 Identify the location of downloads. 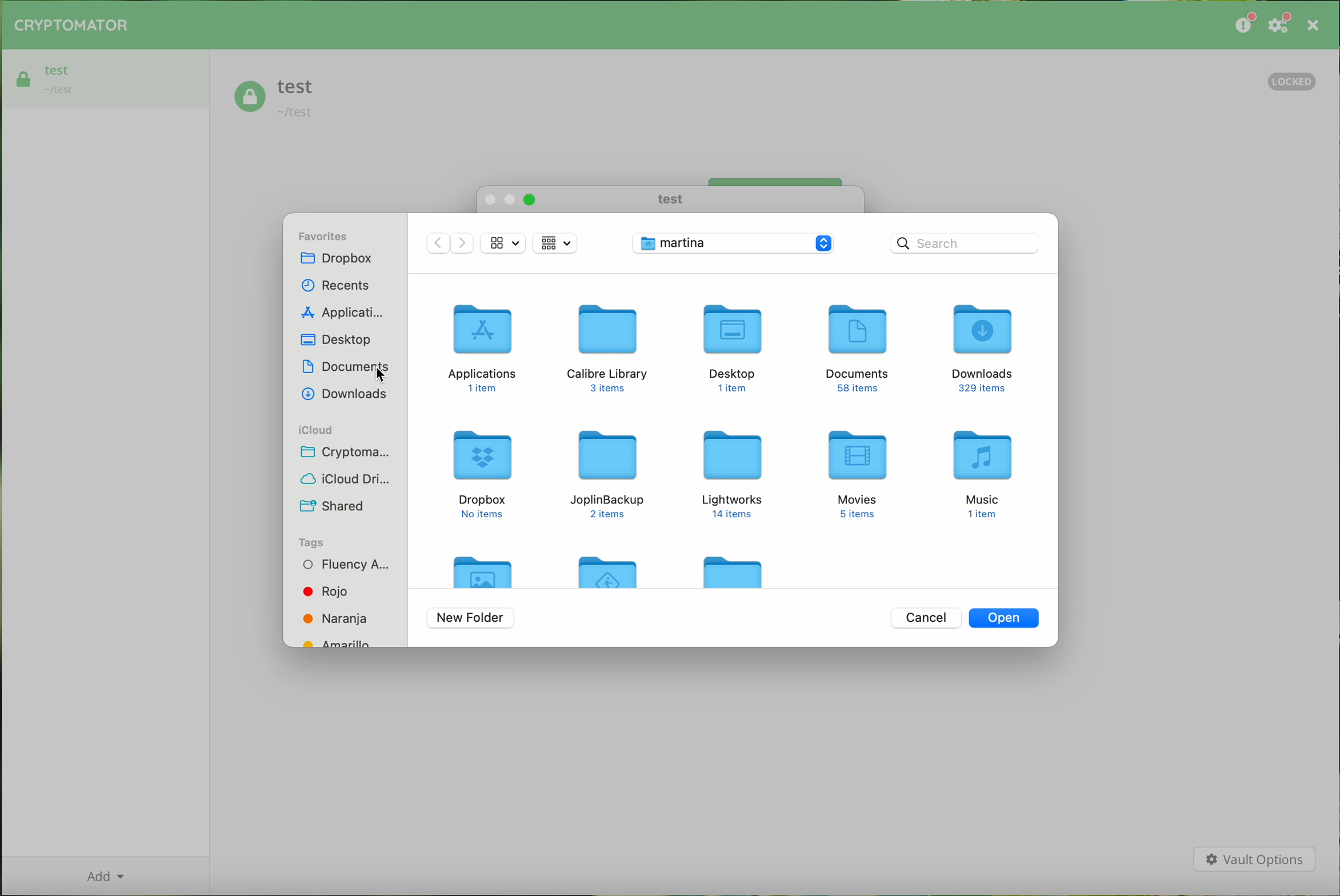
(985, 346).